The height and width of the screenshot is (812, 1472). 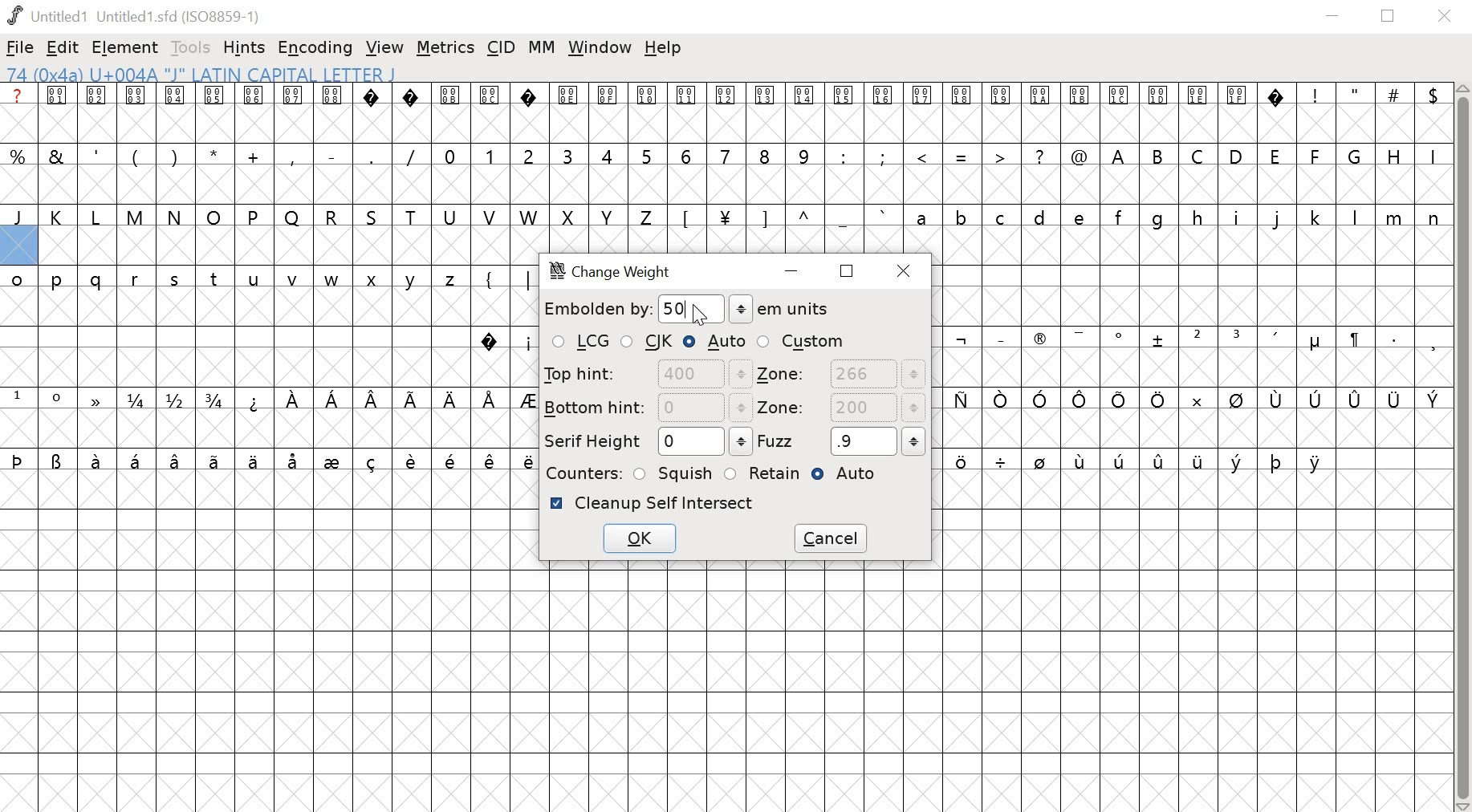 What do you see at coordinates (649, 343) in the screenshot?
I see `CJK` at bounding box center [649, 343].